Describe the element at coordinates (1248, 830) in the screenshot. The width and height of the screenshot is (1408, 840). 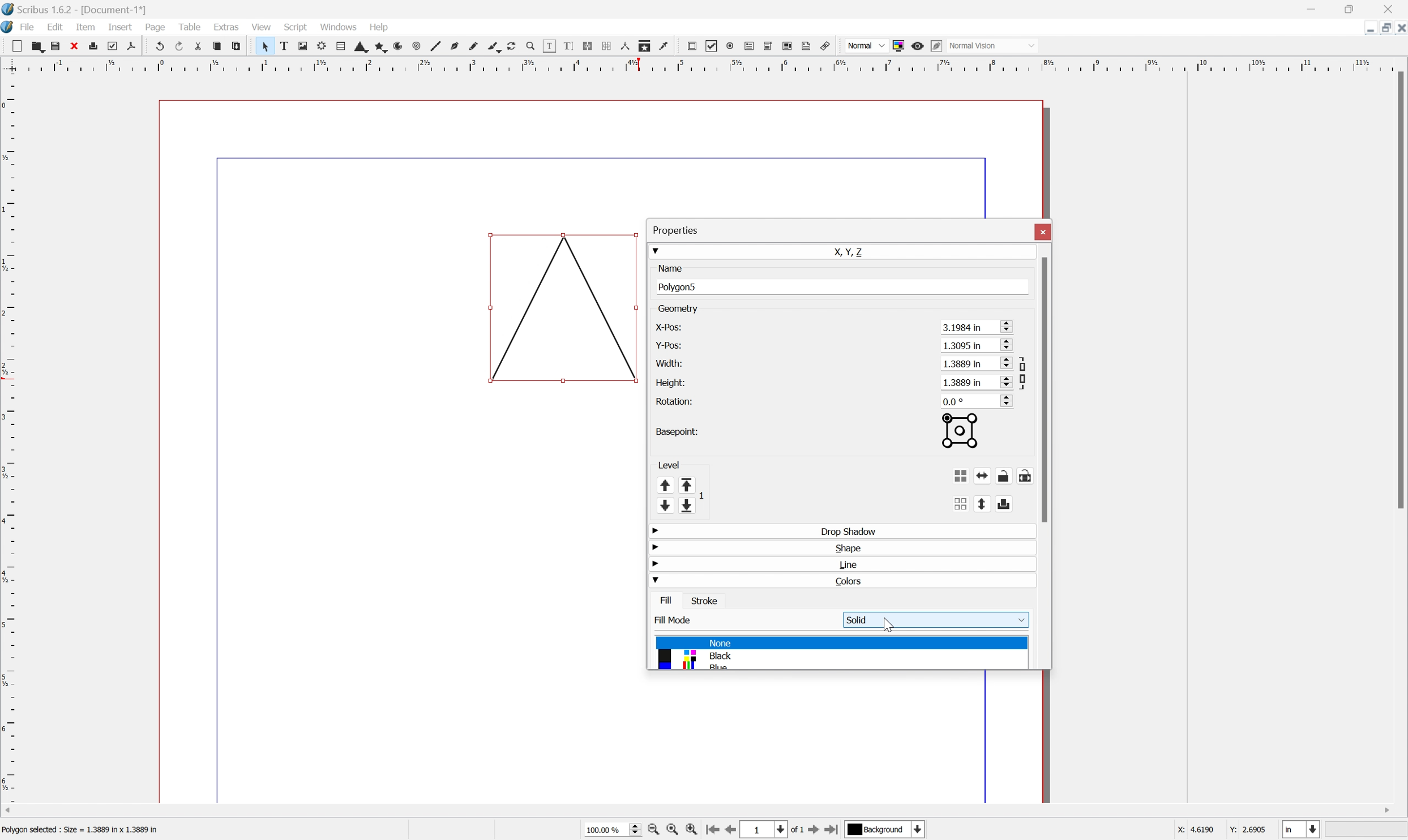
I see `Y: 2.6905` at that location.